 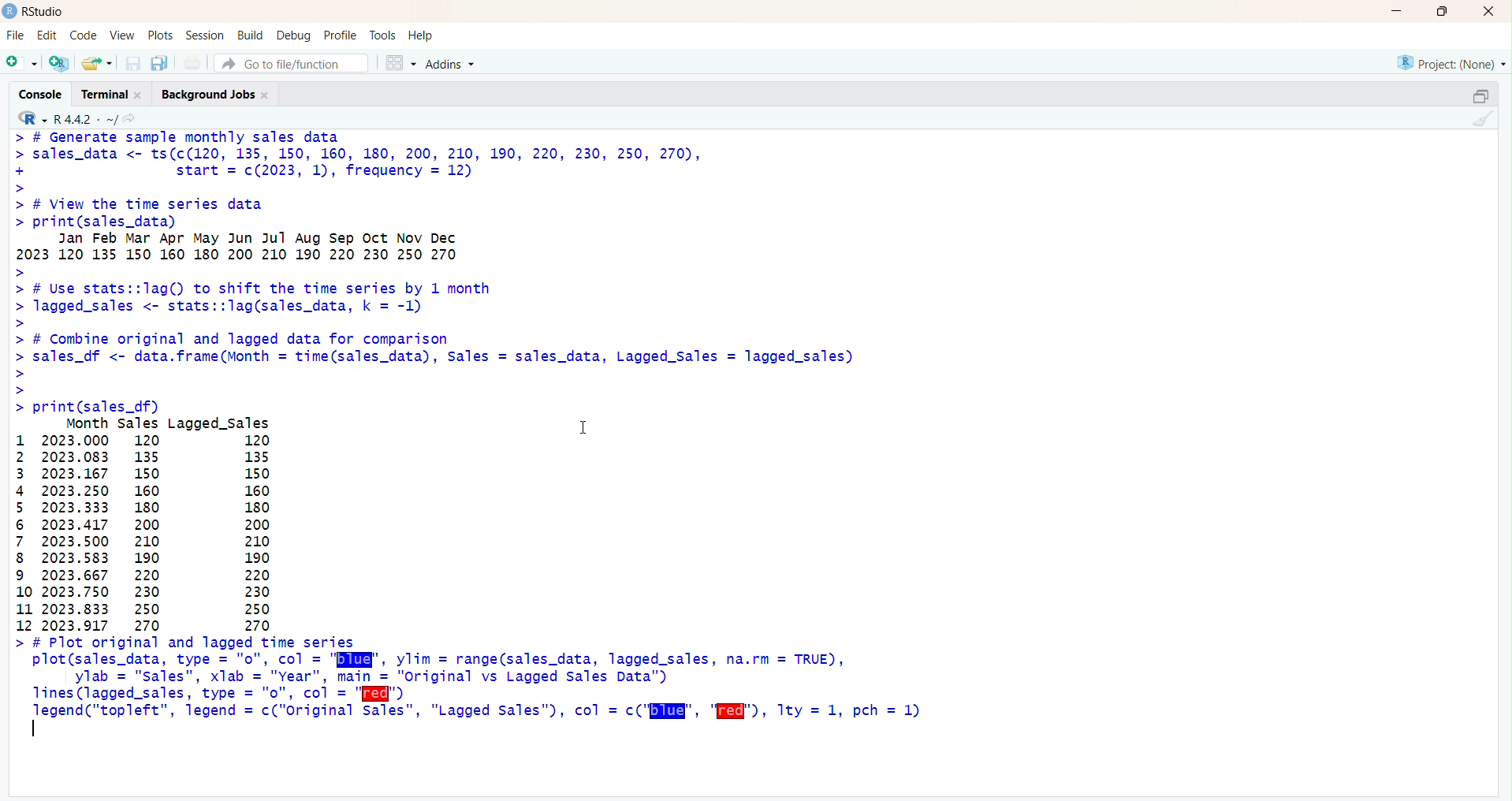 I want to click on console, so click(x=41, y=95).